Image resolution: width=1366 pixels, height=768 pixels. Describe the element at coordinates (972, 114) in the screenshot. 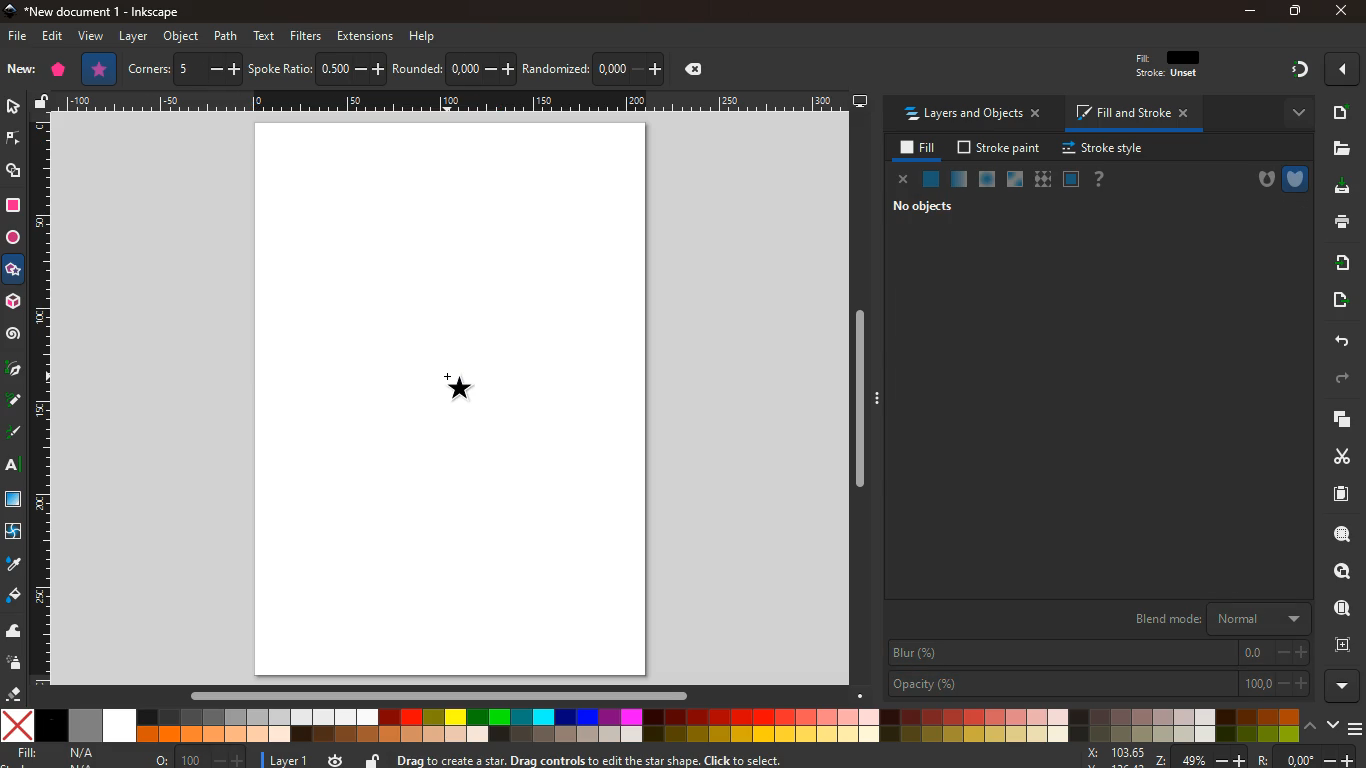

I see `layers and objects` at that location.